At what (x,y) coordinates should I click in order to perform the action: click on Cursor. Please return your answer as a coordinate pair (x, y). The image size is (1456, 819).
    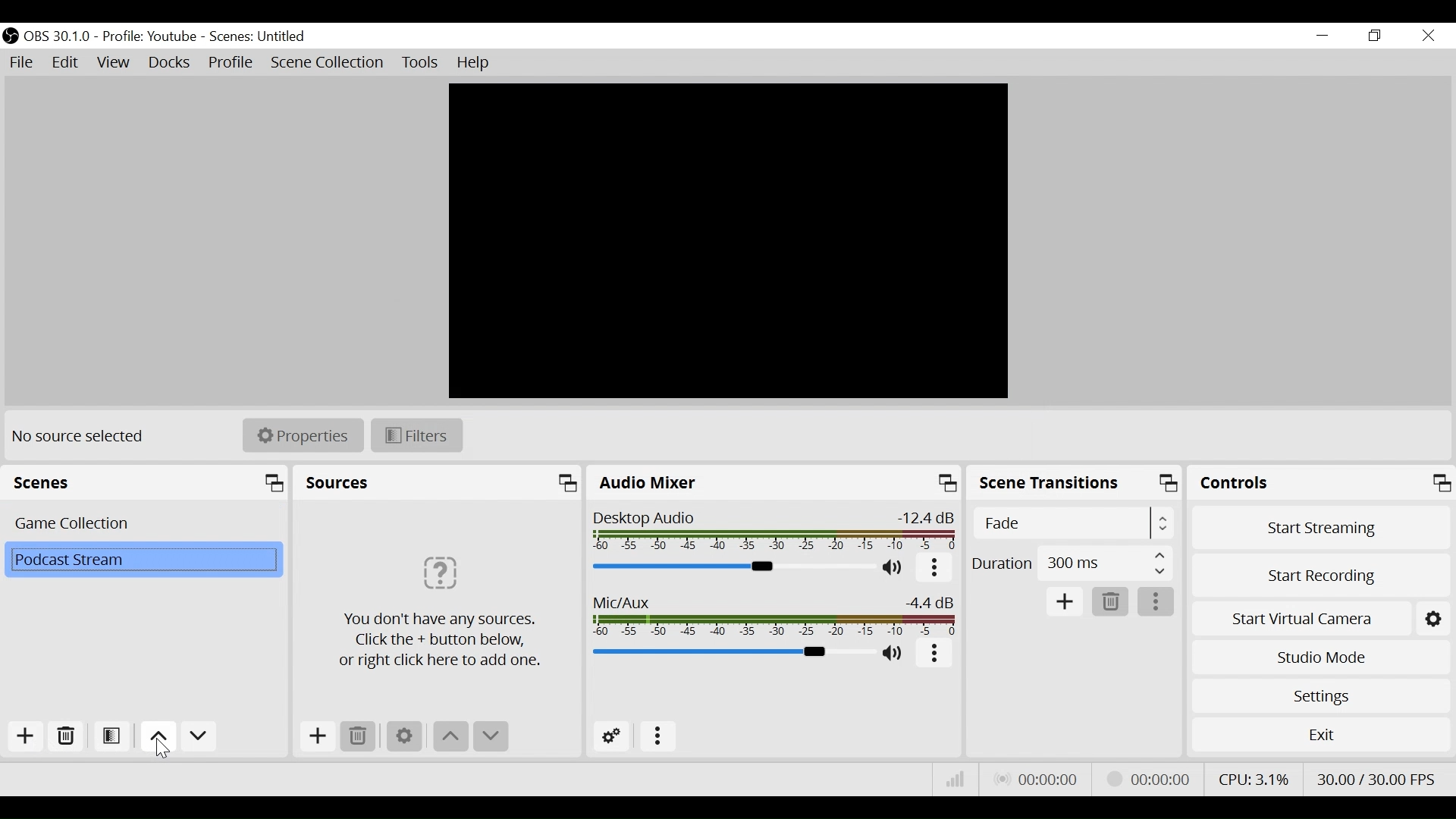
    Looking at the image, I should click on (162, 751).